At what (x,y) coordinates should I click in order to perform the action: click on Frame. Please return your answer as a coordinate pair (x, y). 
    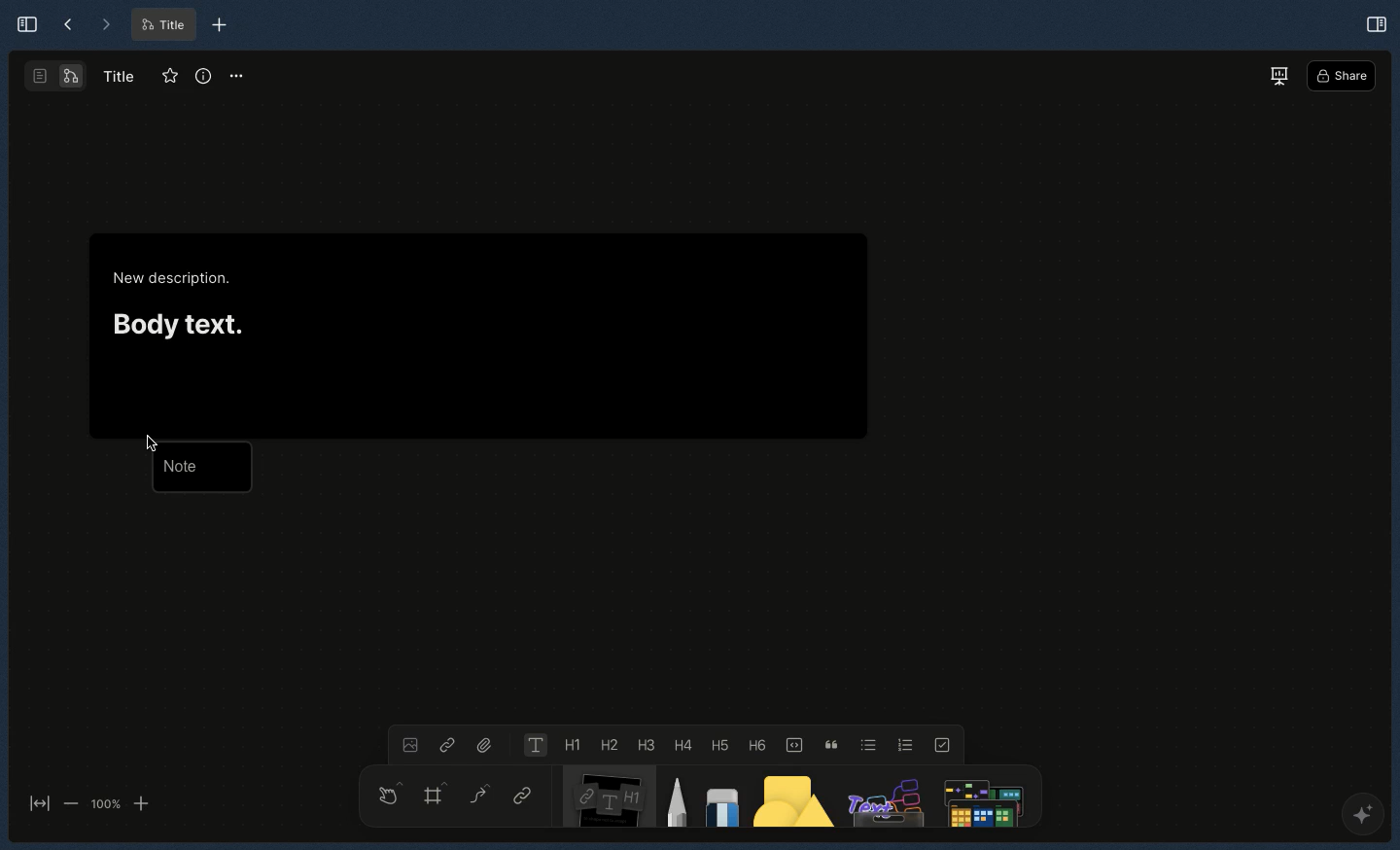
    Looking at the image, I should click on (437, 793).